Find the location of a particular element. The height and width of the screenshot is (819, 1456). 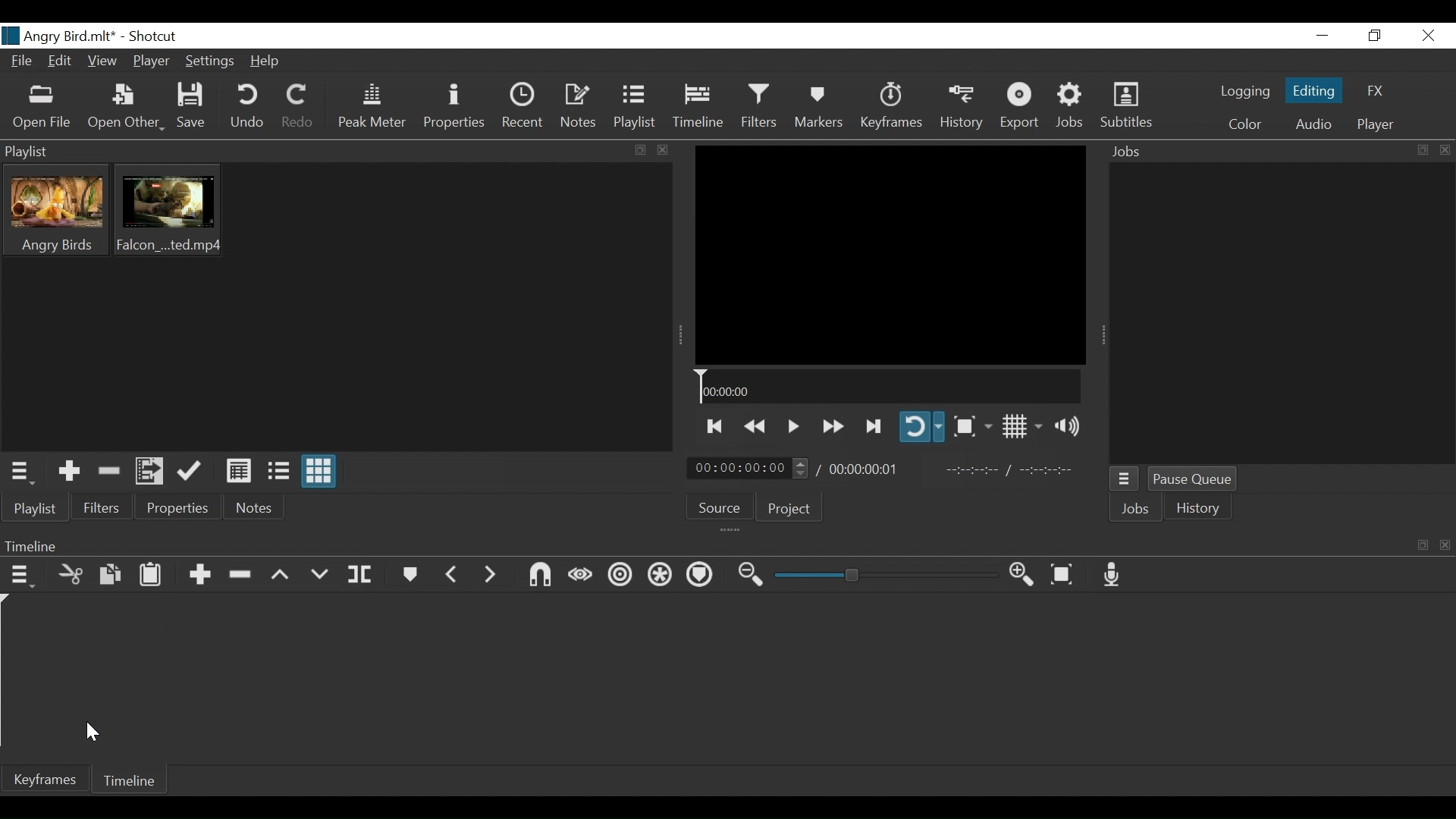

Lift is located at coordinates (278, 576).